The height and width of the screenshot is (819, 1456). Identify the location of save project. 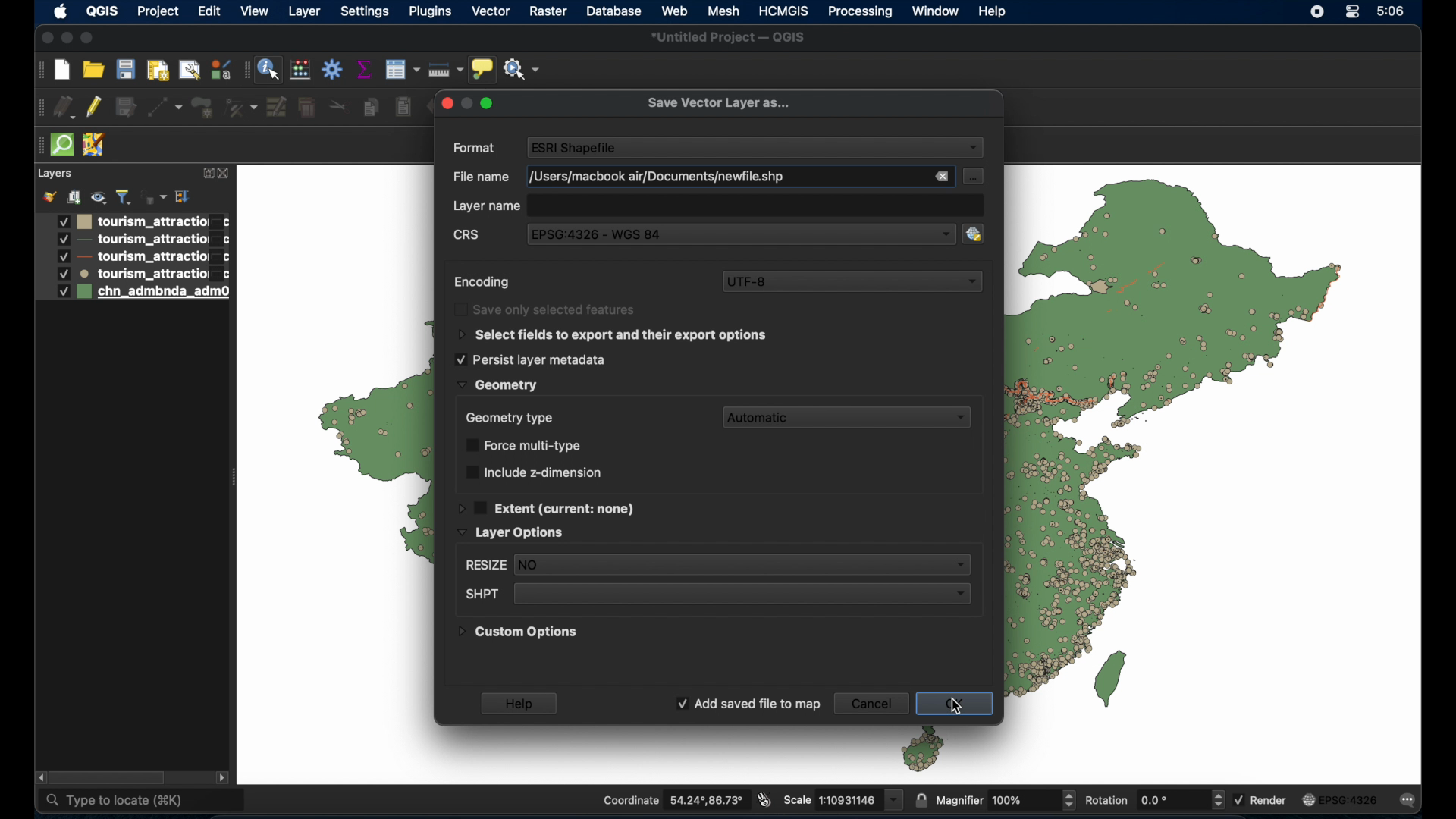
(125, 69).